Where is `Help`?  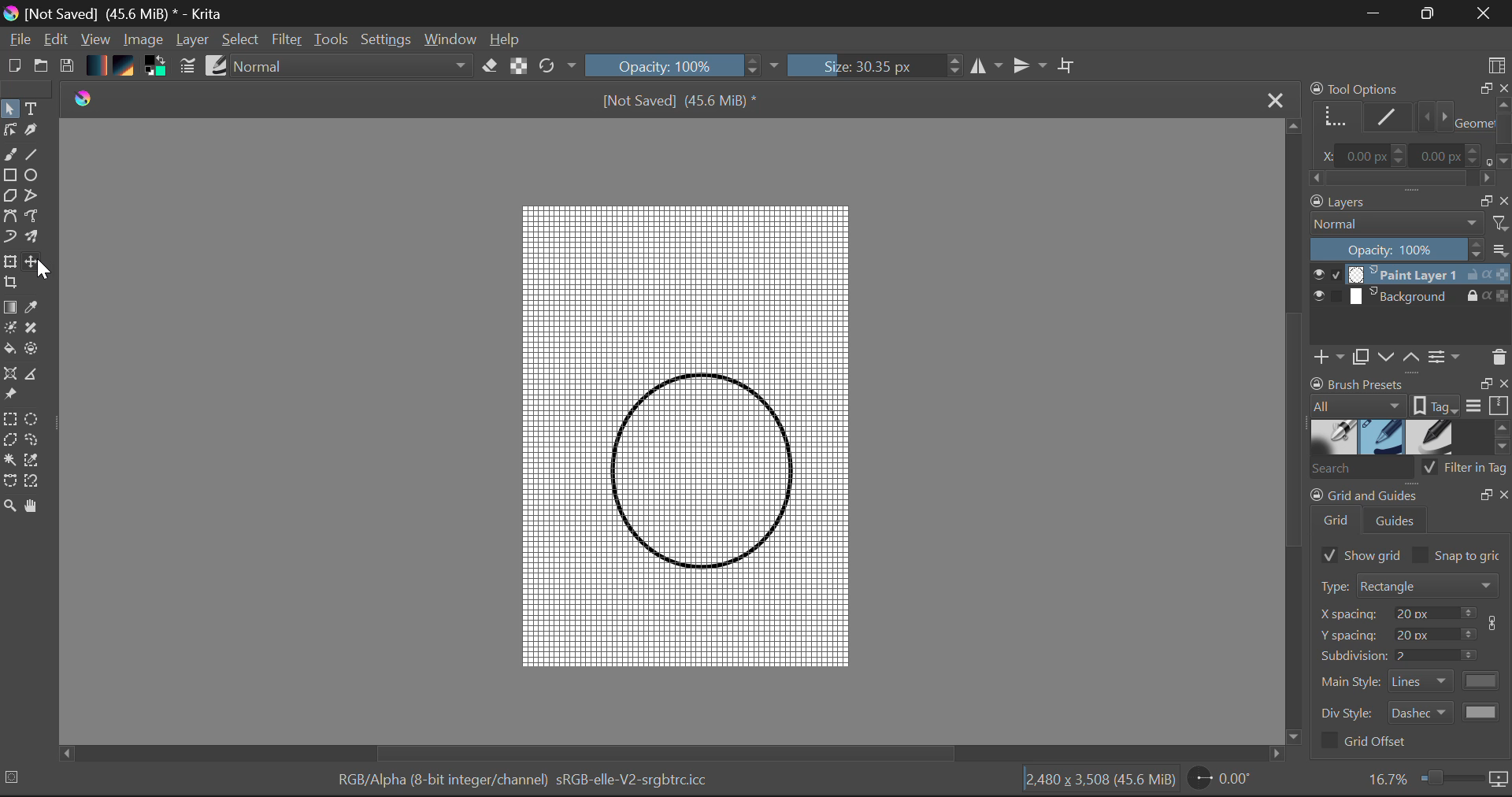 Help is located at coordinates (509, 39).